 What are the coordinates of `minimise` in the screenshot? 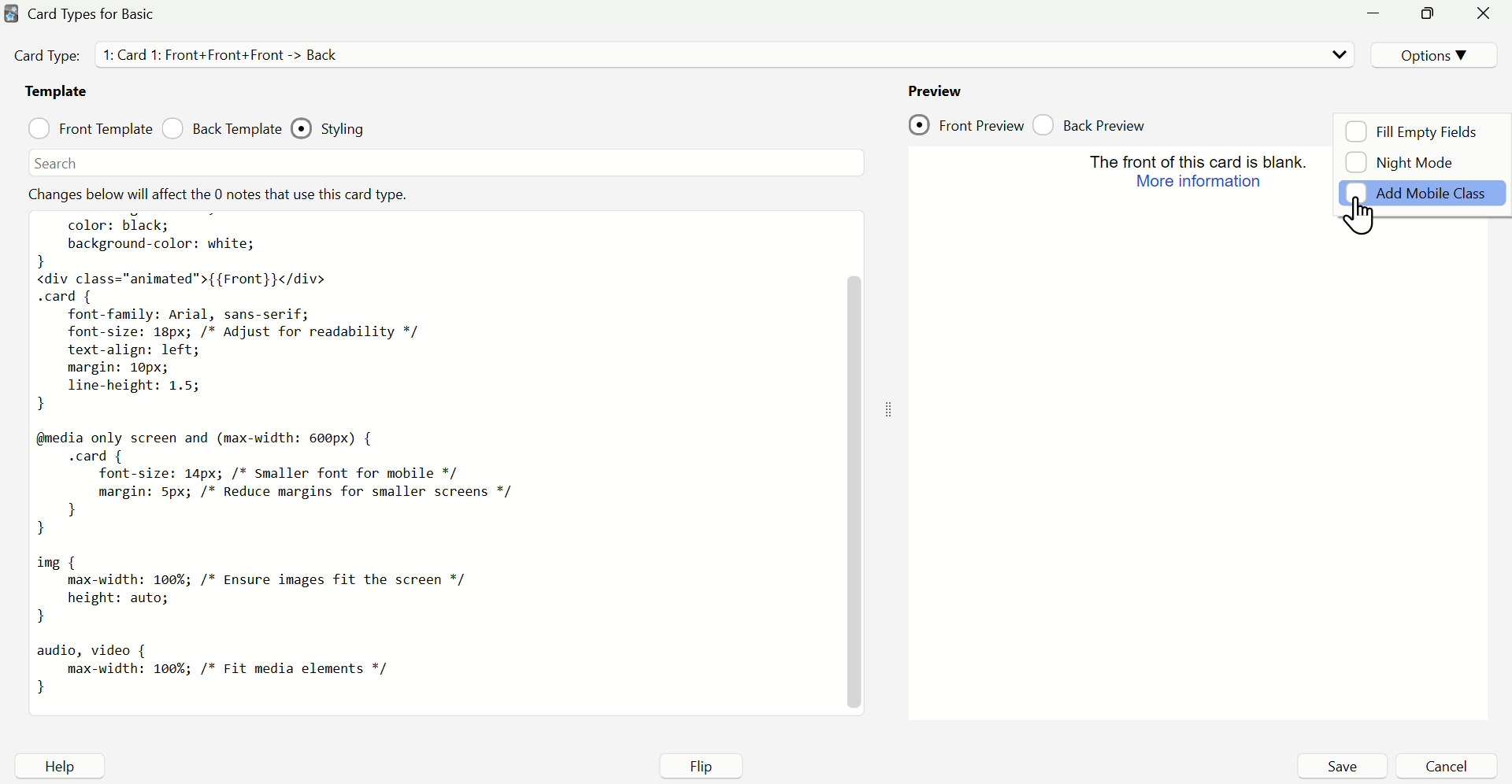 It's located at (1379, 17).